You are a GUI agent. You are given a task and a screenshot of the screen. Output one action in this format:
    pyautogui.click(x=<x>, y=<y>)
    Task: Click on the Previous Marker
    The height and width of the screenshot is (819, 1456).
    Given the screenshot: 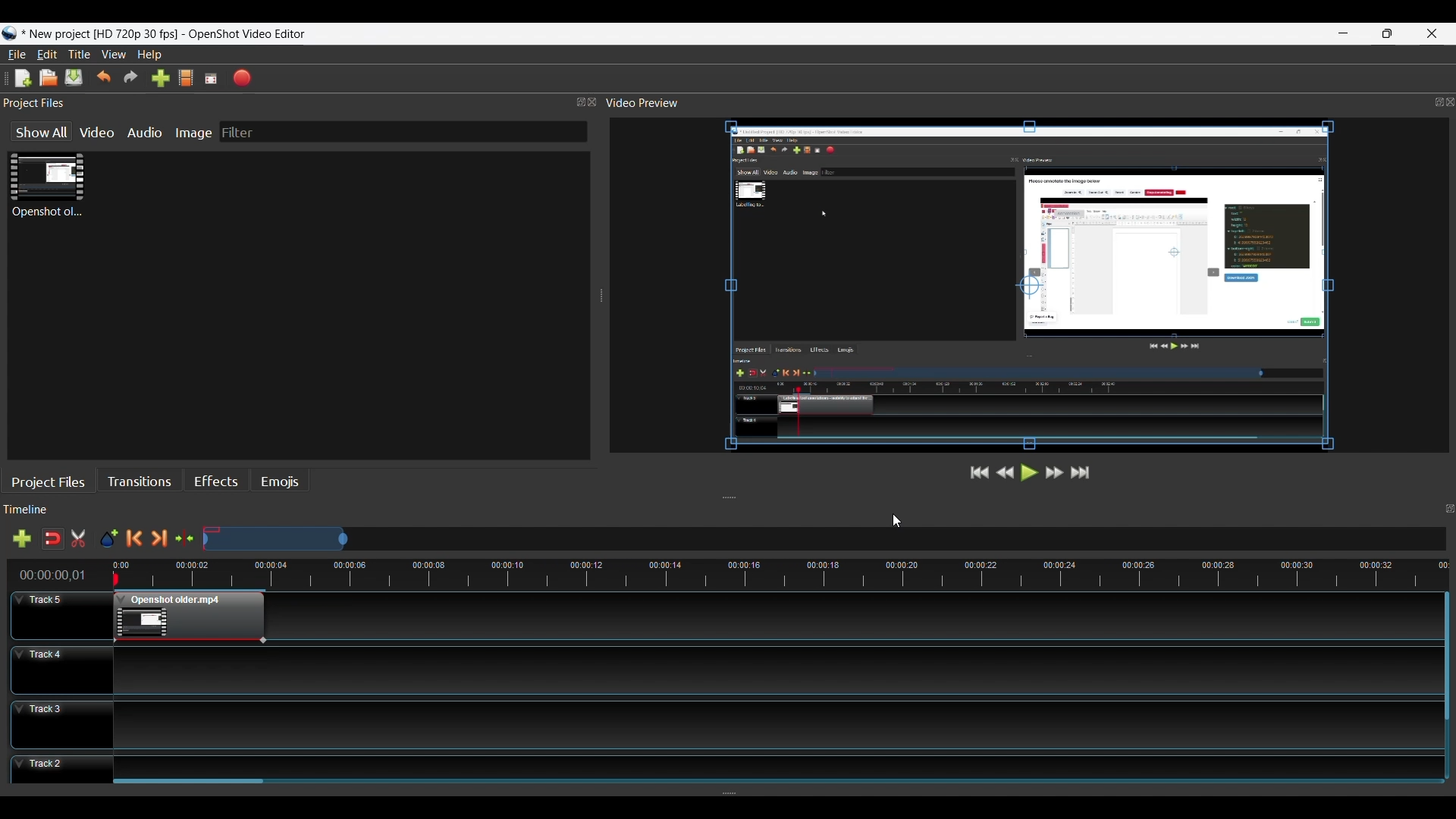 What is the action you would take?
    pyautogui.click(x=134, y=539)
    